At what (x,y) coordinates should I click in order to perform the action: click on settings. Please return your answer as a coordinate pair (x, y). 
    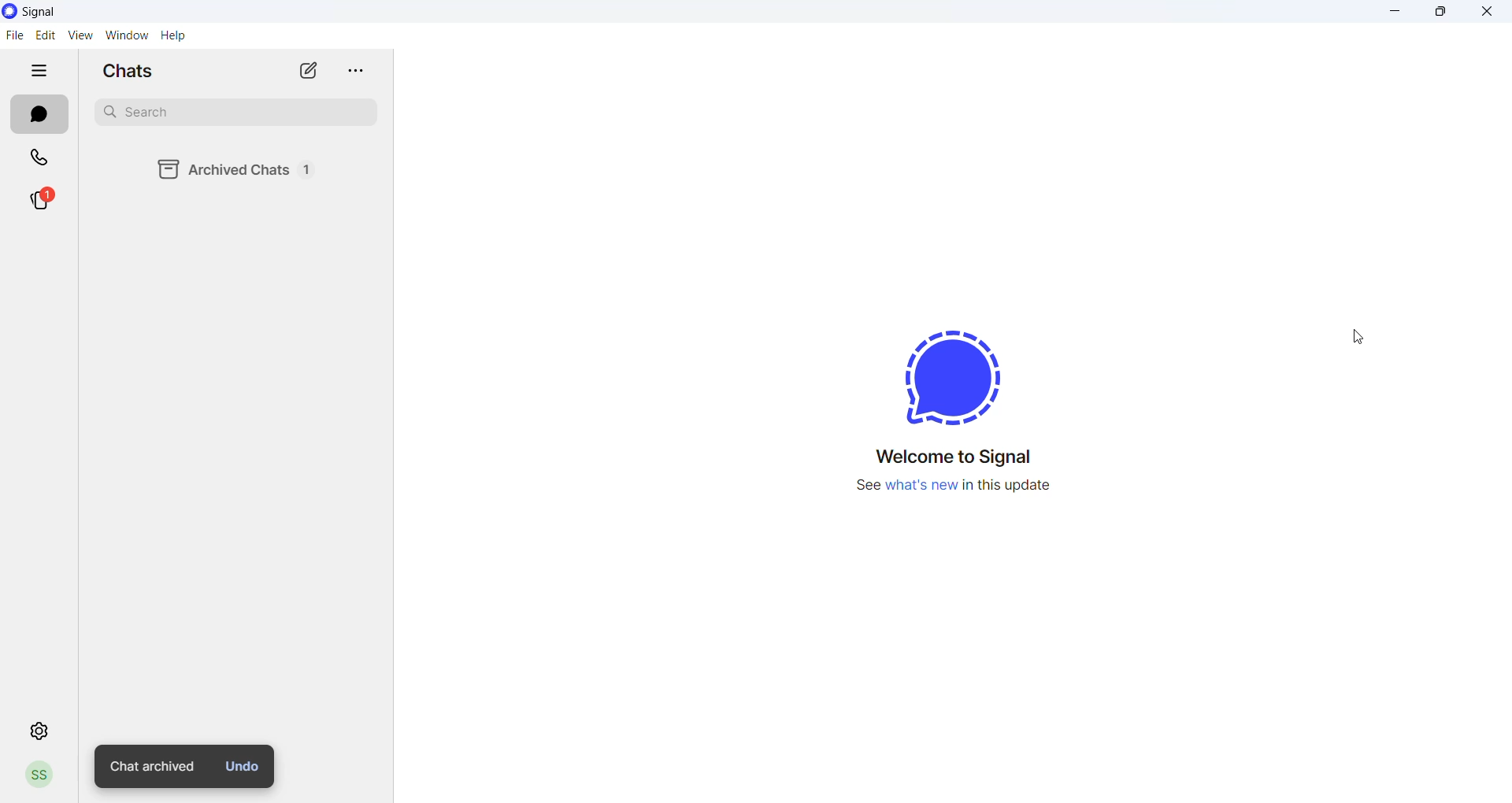
    Looking at the image, I should click on (37, 730).